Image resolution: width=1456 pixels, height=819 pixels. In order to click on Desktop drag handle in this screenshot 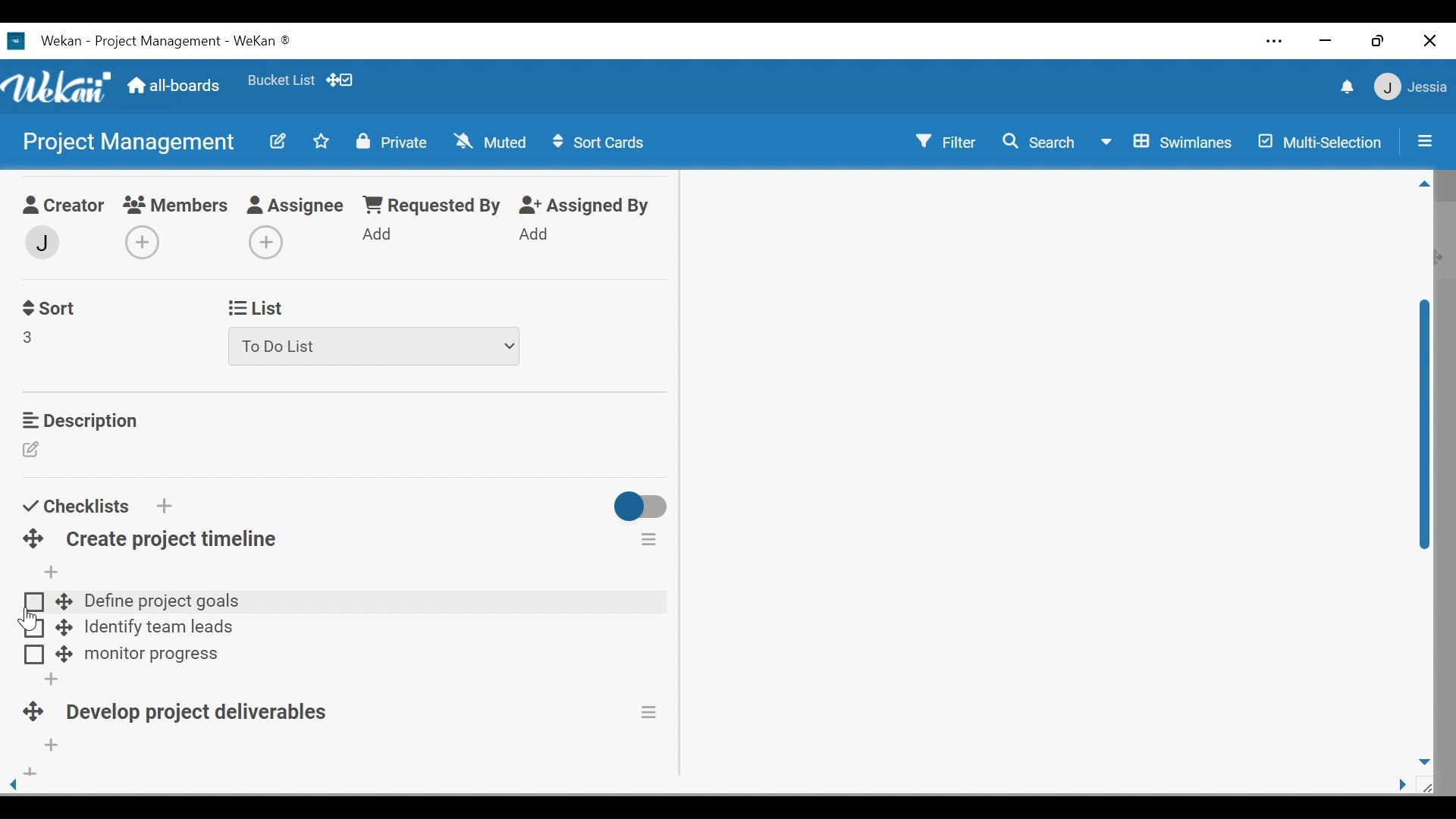, I will do `click(64, 626)`.